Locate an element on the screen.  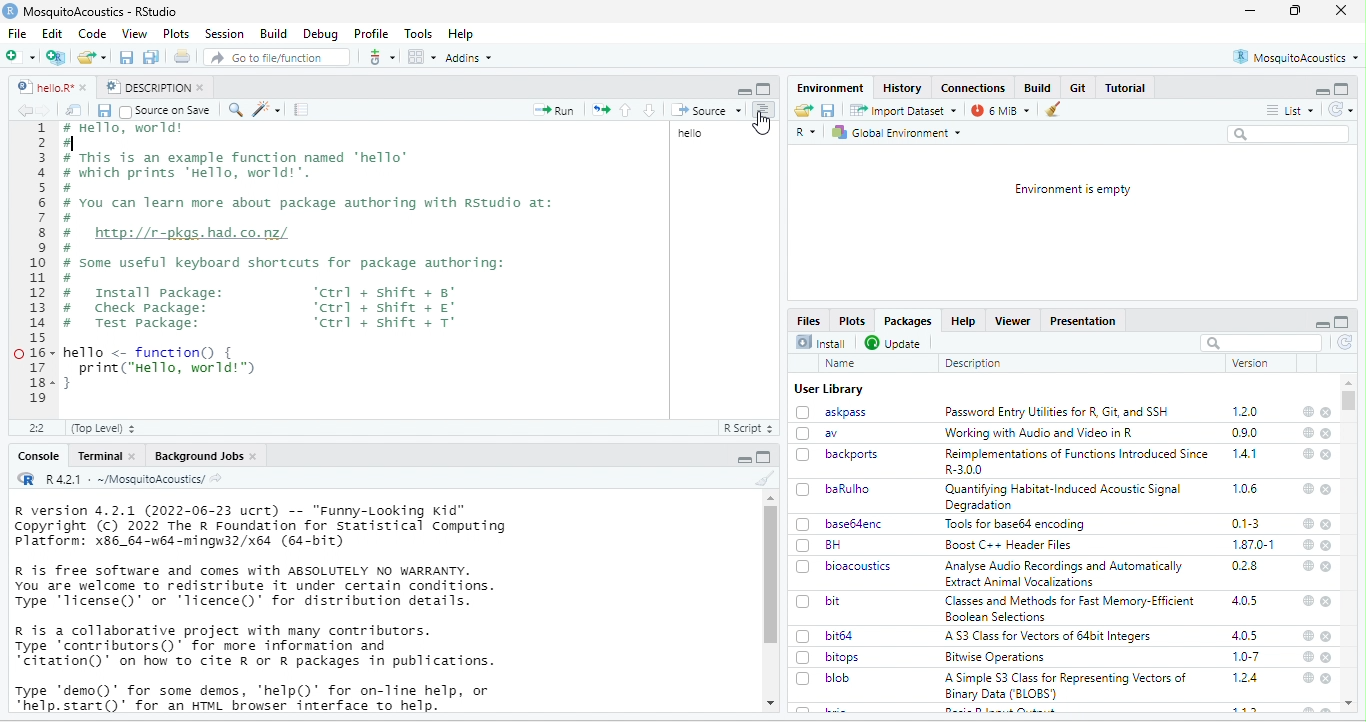
MosquitoAcoustics - RStudio is located at coordinates (101, 12).